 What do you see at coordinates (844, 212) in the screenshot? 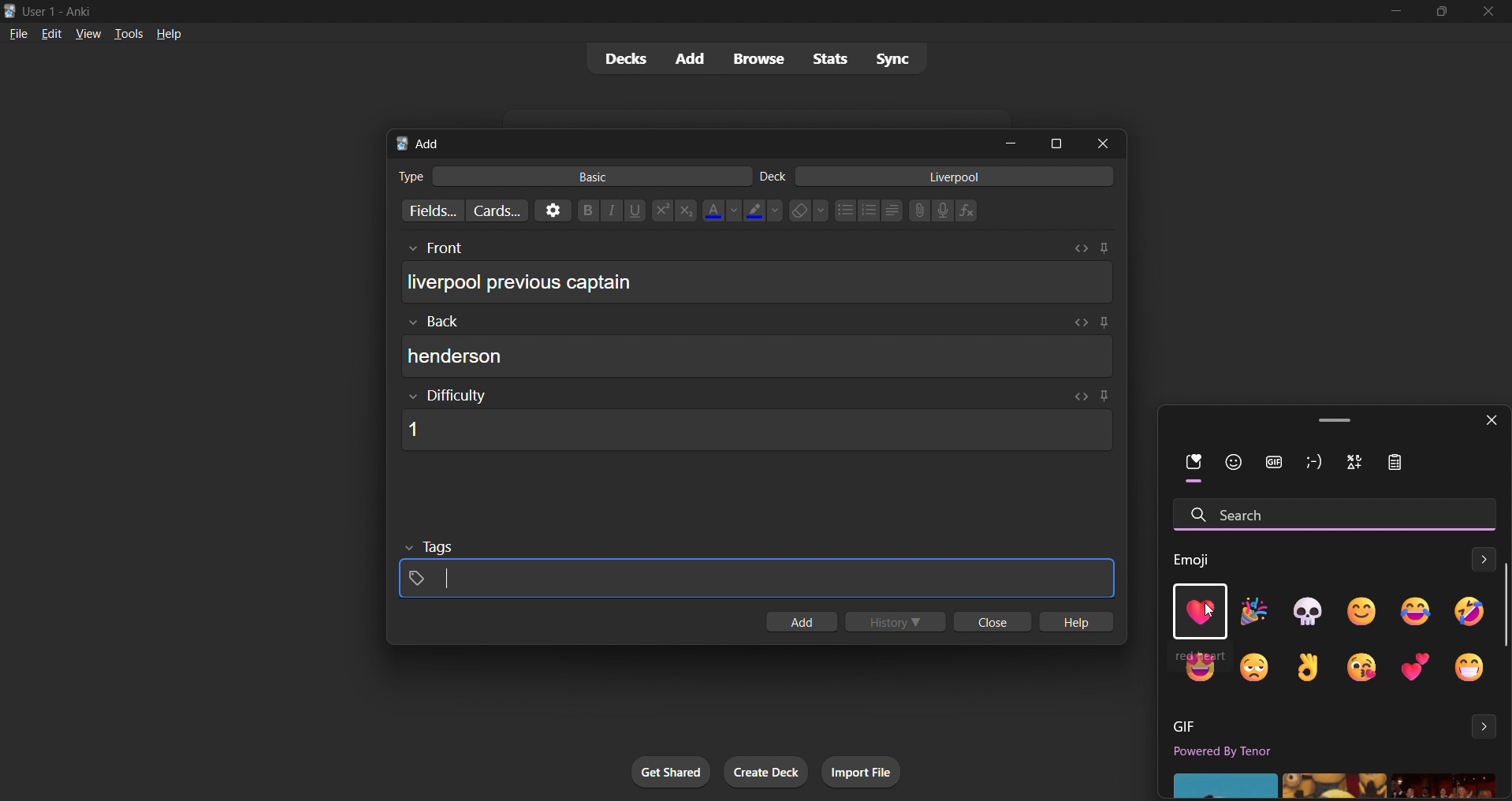
I see `dotted list` at bounding box center [844, 212].